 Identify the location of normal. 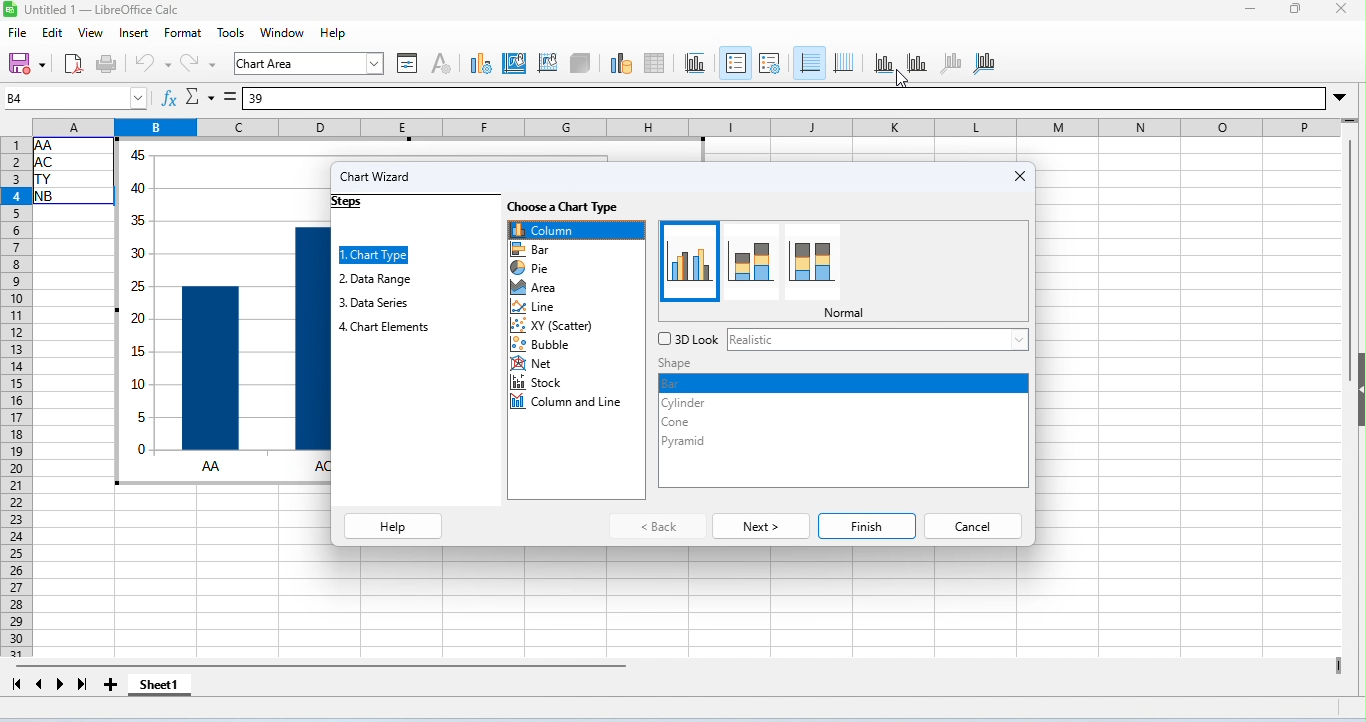
(845, 313).